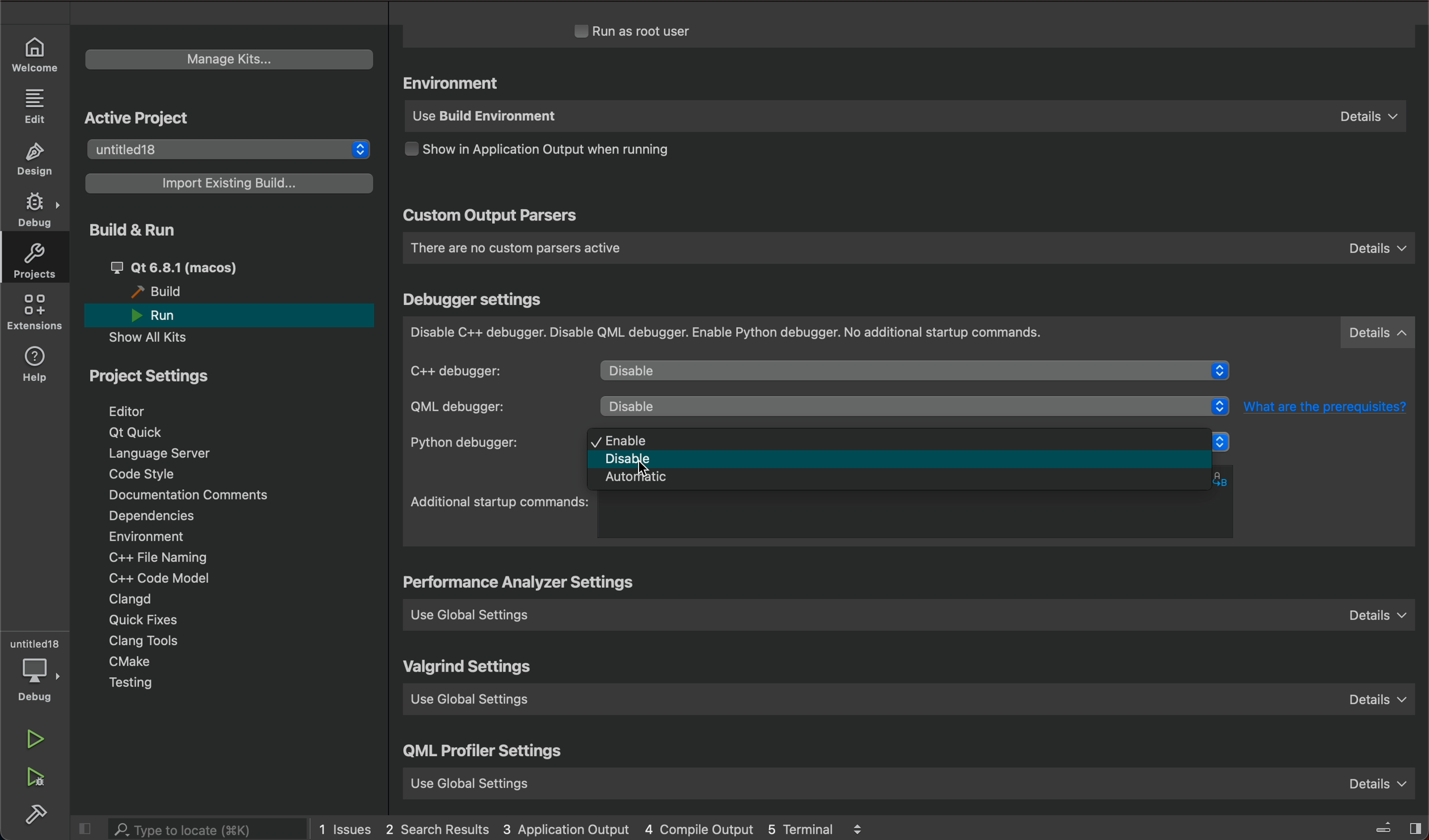  Describe the element at coordinates (146, 536) in the screenshot. I see `environment` at that location.